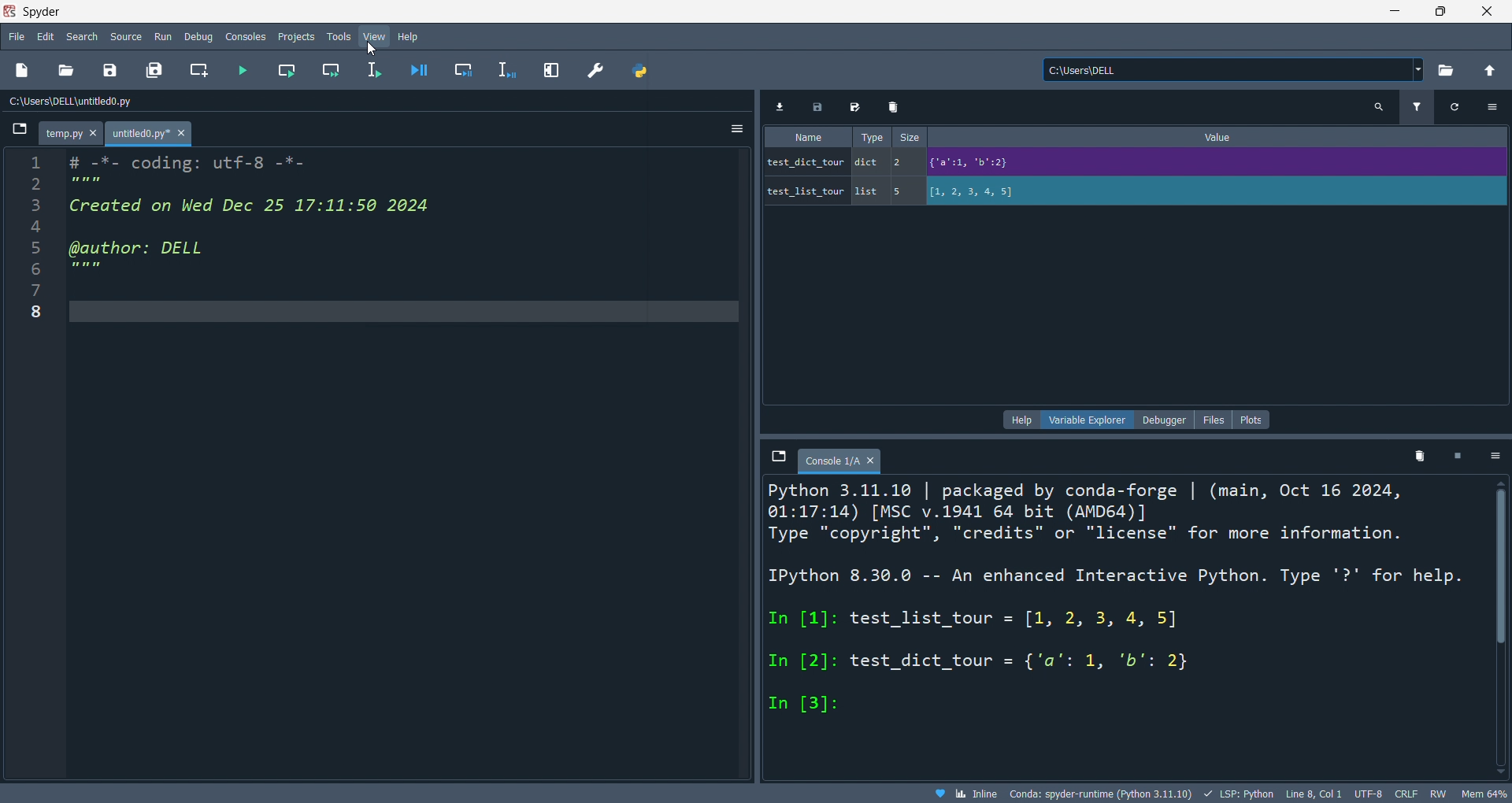 This screenshot has width=1512, height=803. I want to click on debug cell, so click(462, 71).